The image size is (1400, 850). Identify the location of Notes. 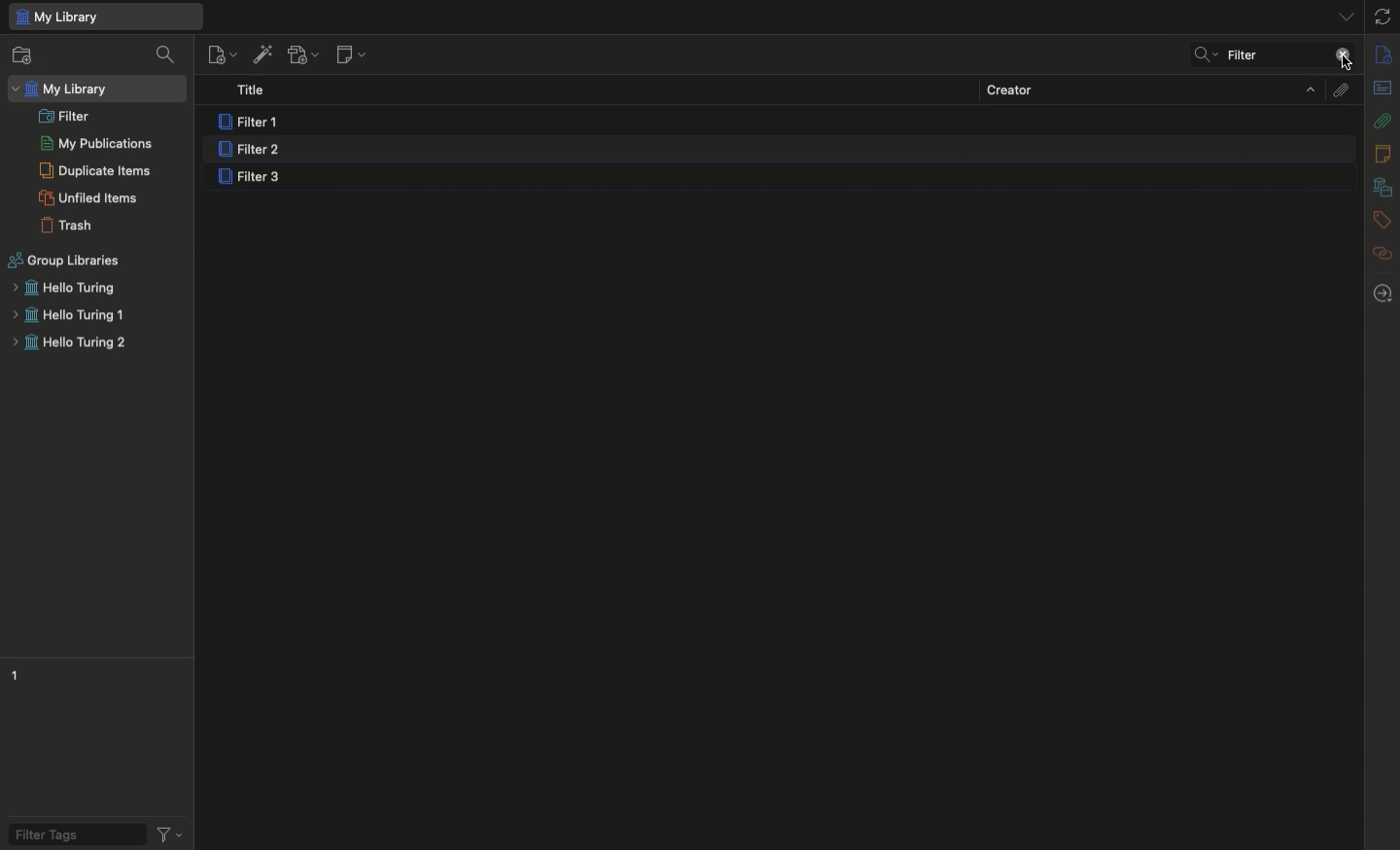
(1385, 154).